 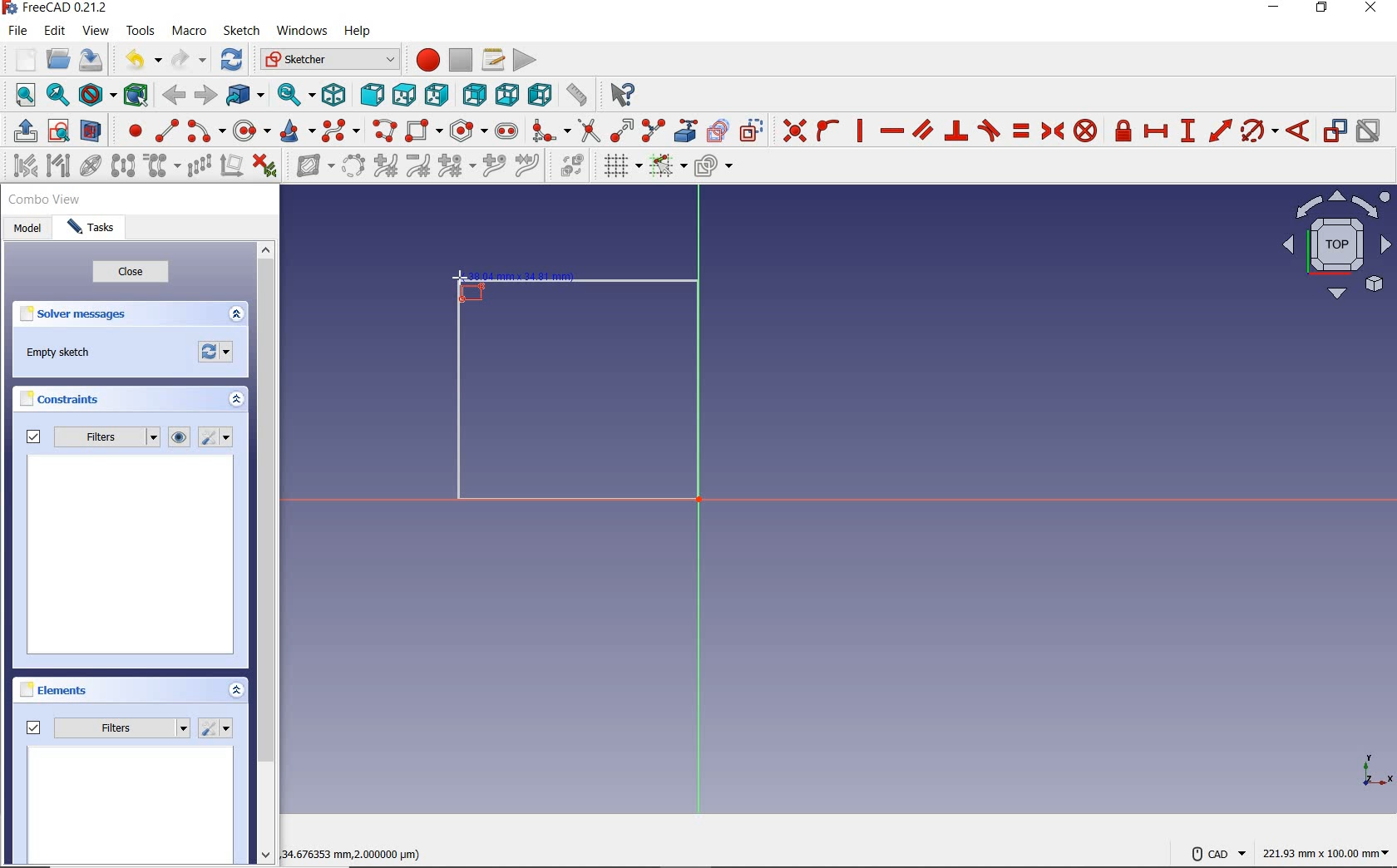 I want to click on forward, so click(x=206, y=96).